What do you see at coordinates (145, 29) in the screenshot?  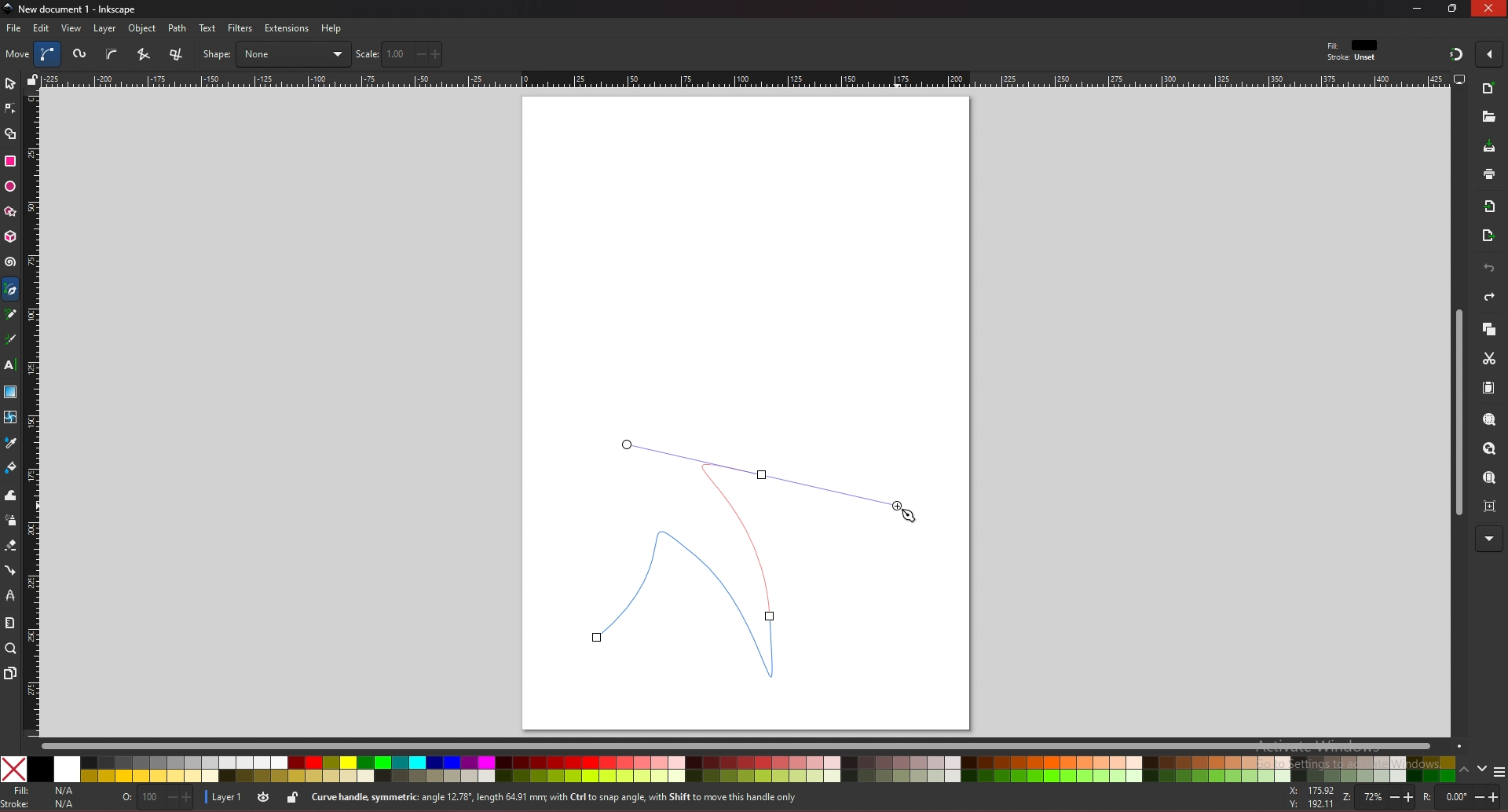 I see `object` at bounding box center [145, 29].